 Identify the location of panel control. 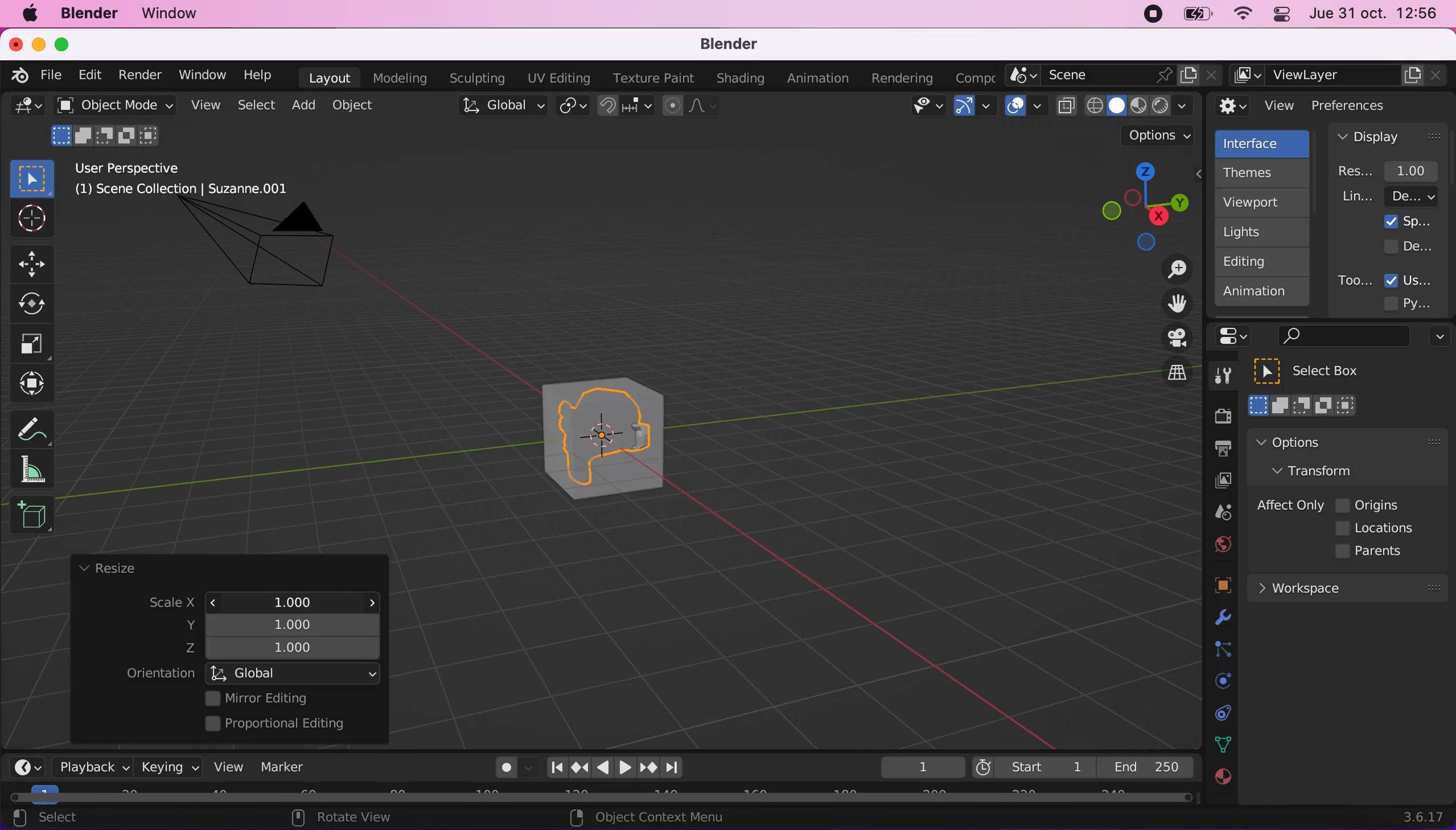
(1237, 336).